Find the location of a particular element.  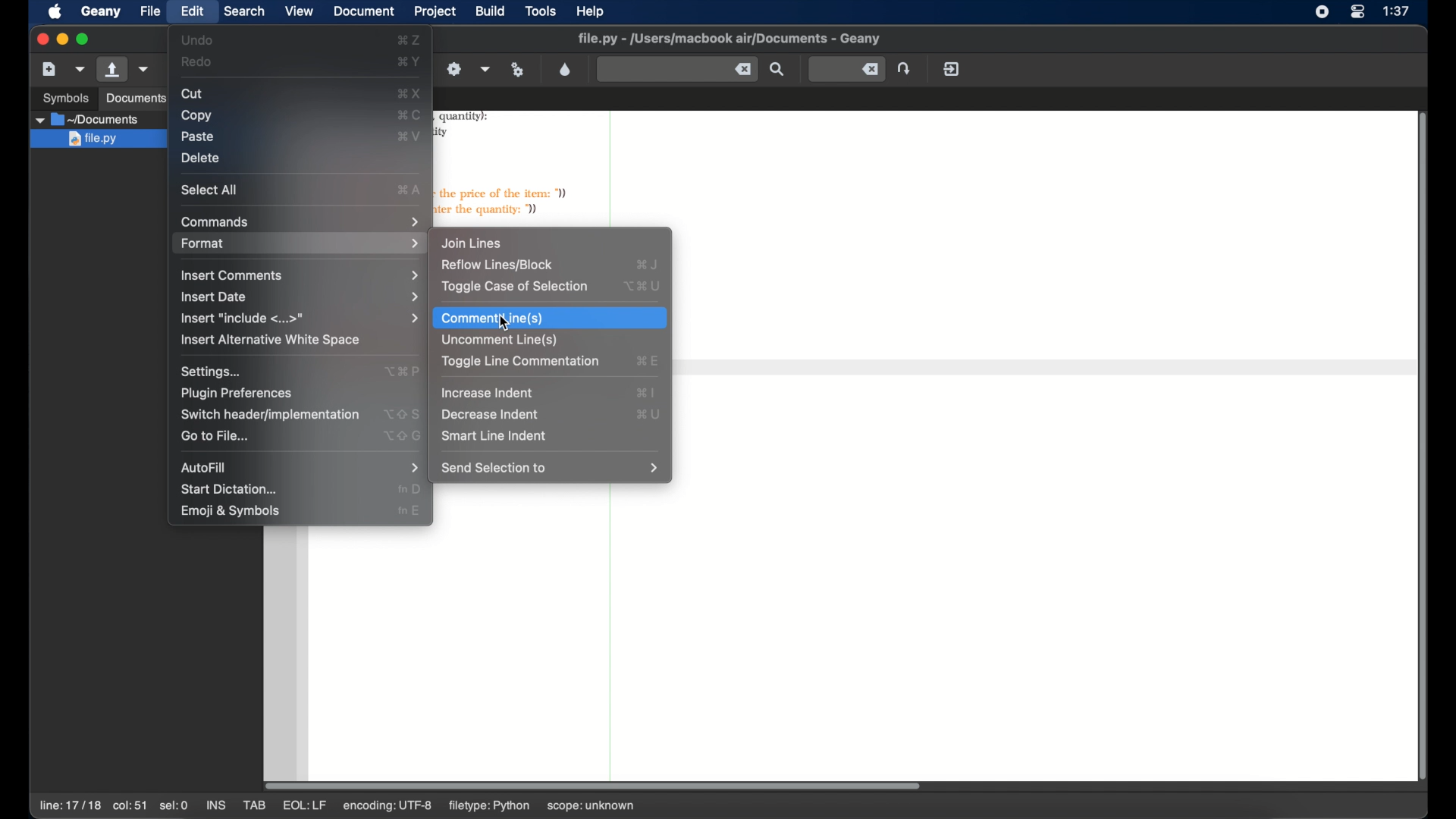

toggle case of selection is located at coordinates (514, 287).